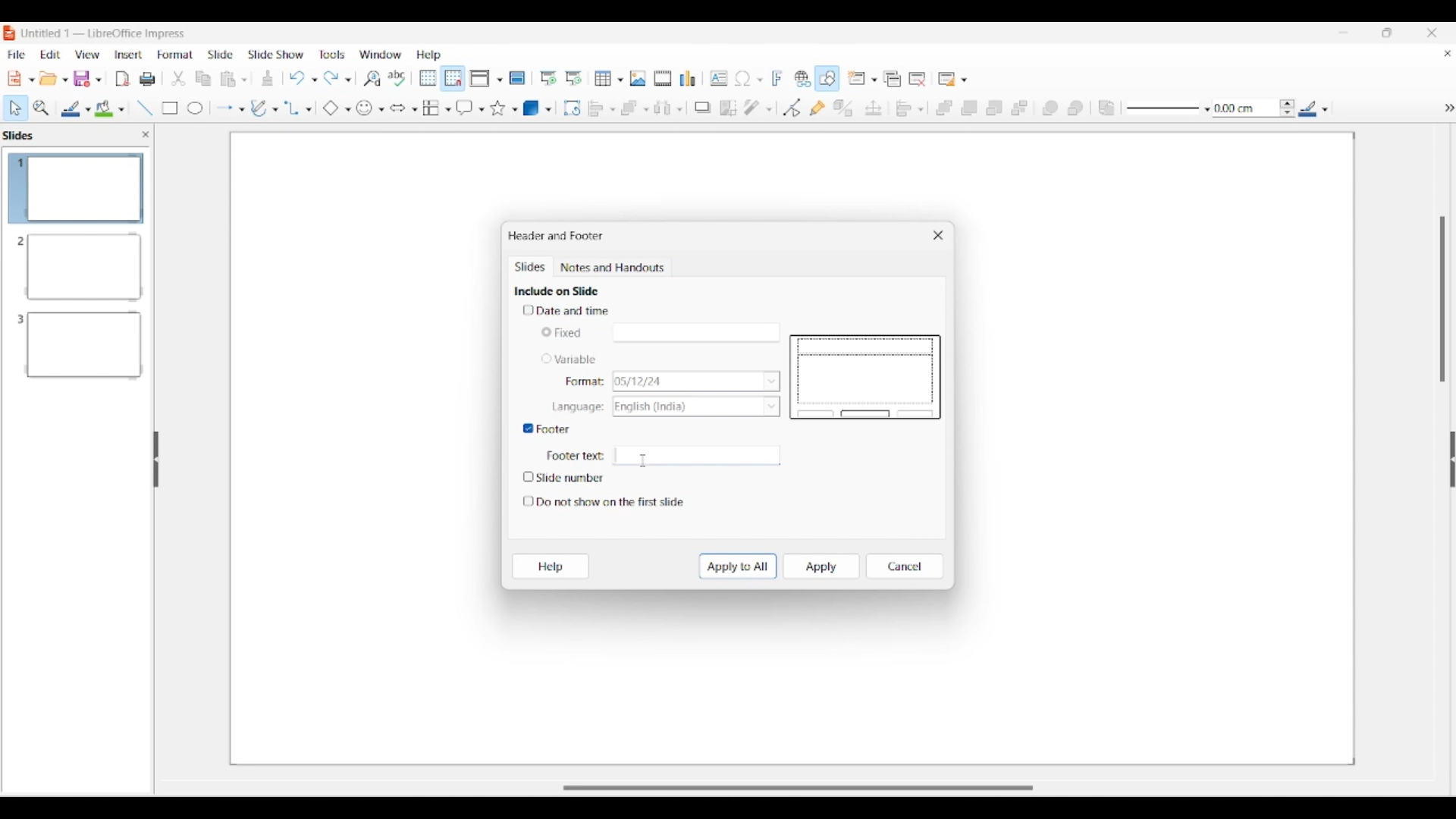  I want to click on Redo options, so click(337, 77).